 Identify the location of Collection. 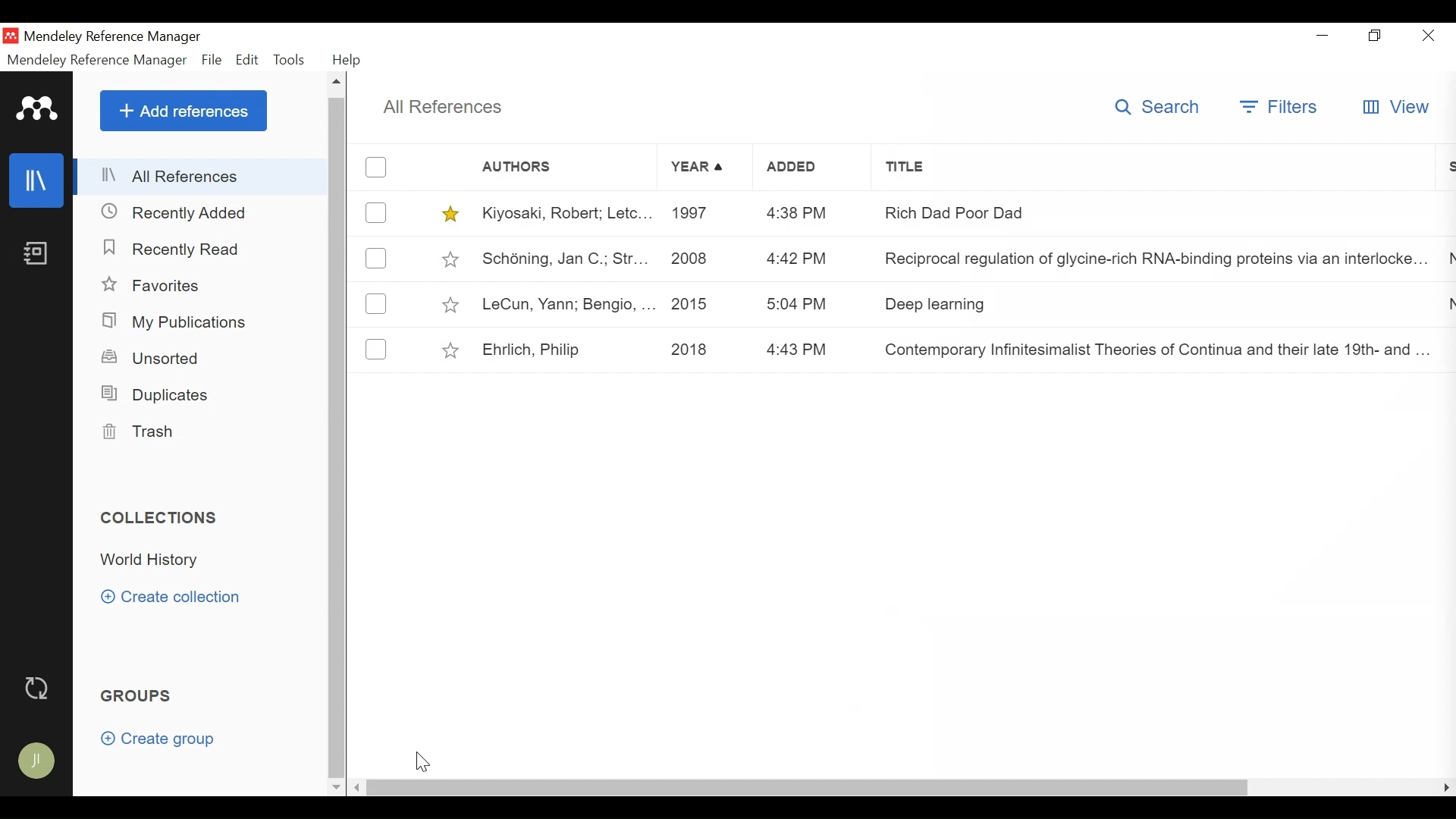
(208, 561).